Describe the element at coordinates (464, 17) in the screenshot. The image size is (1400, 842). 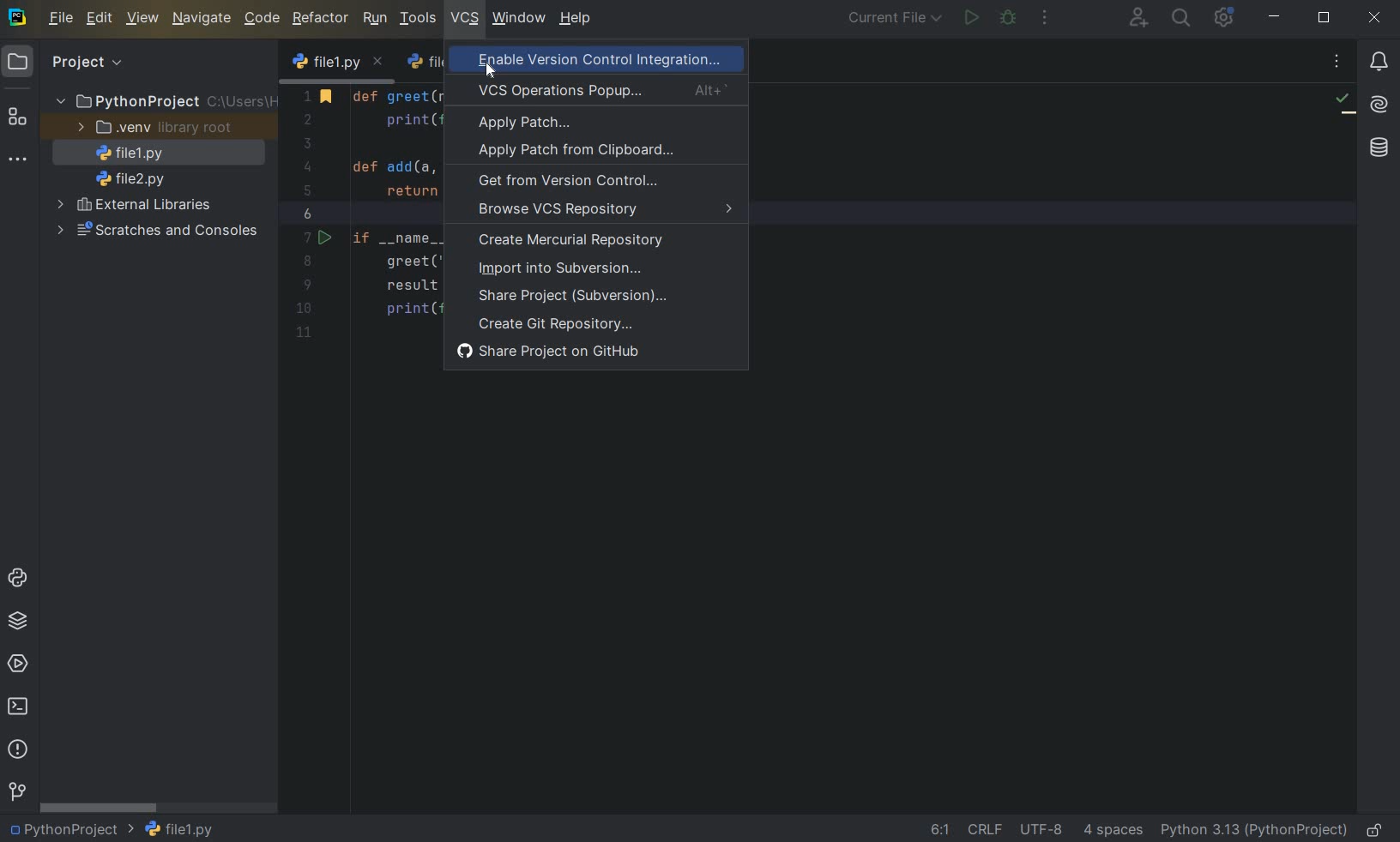
I see `vcs` at that location.